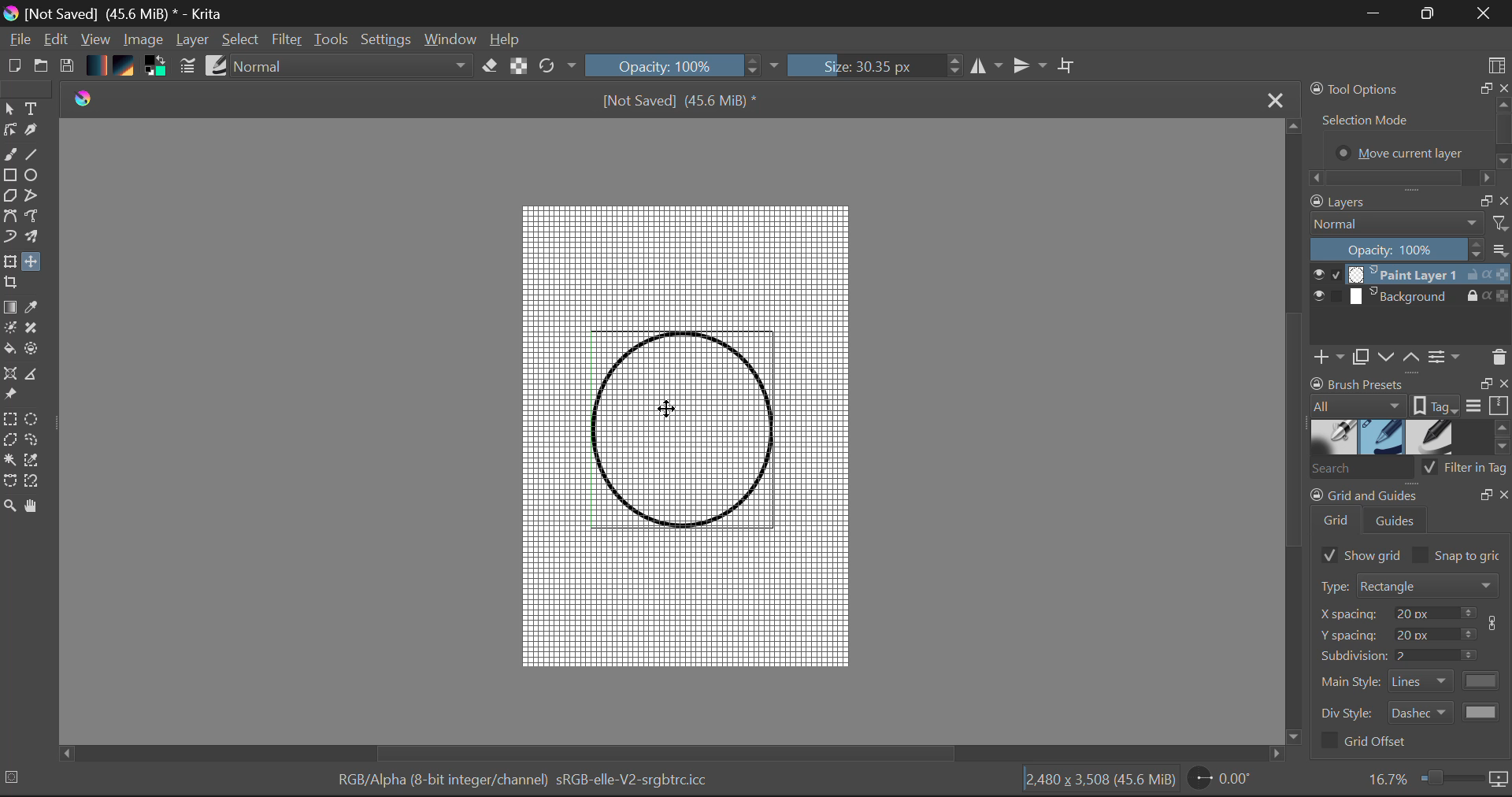 This screenshot has width=1512, height=797. I want to click on Edit Shapes, so click(13, 131).